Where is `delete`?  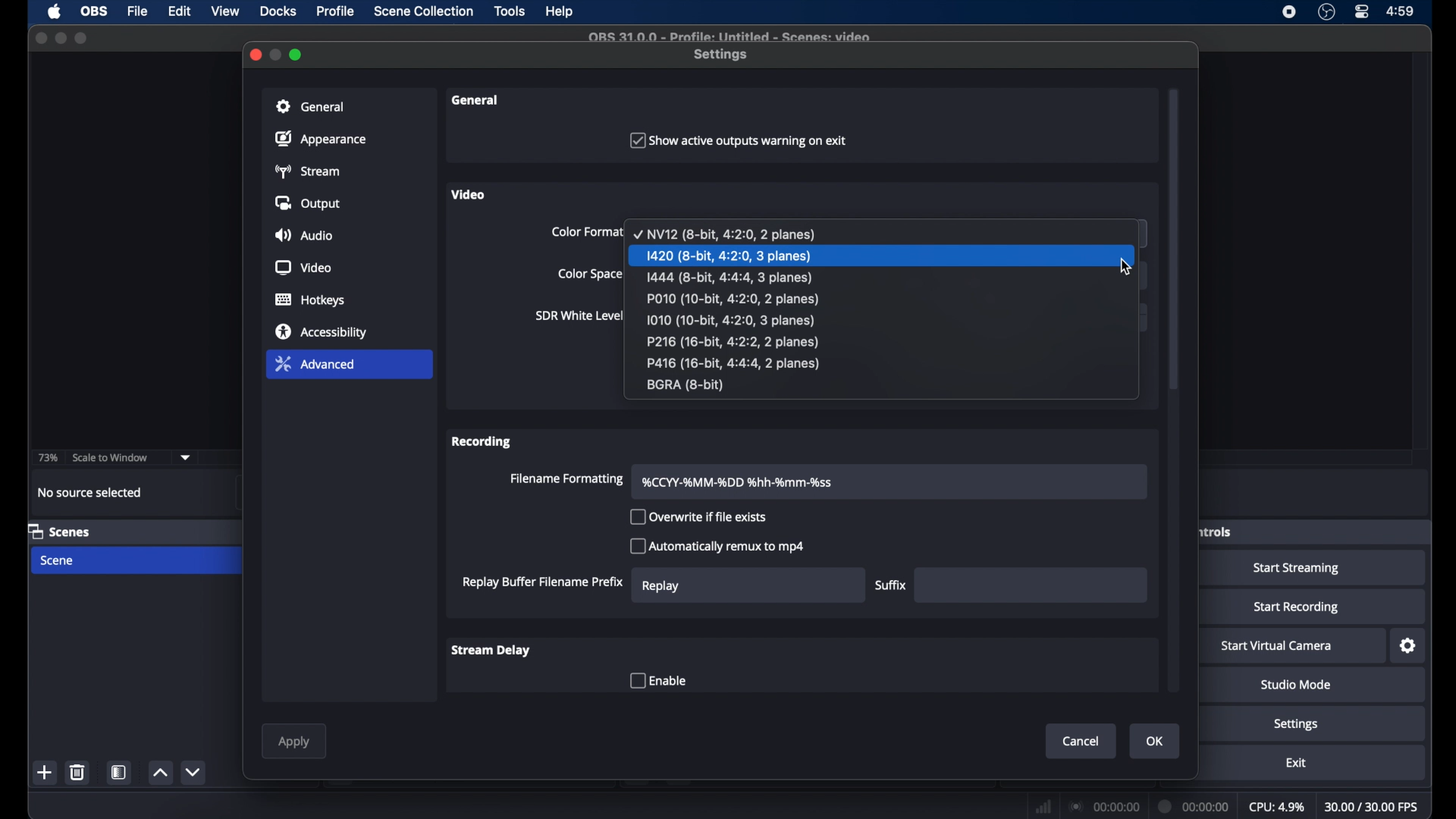
delete is located at coordinates (78, 772).